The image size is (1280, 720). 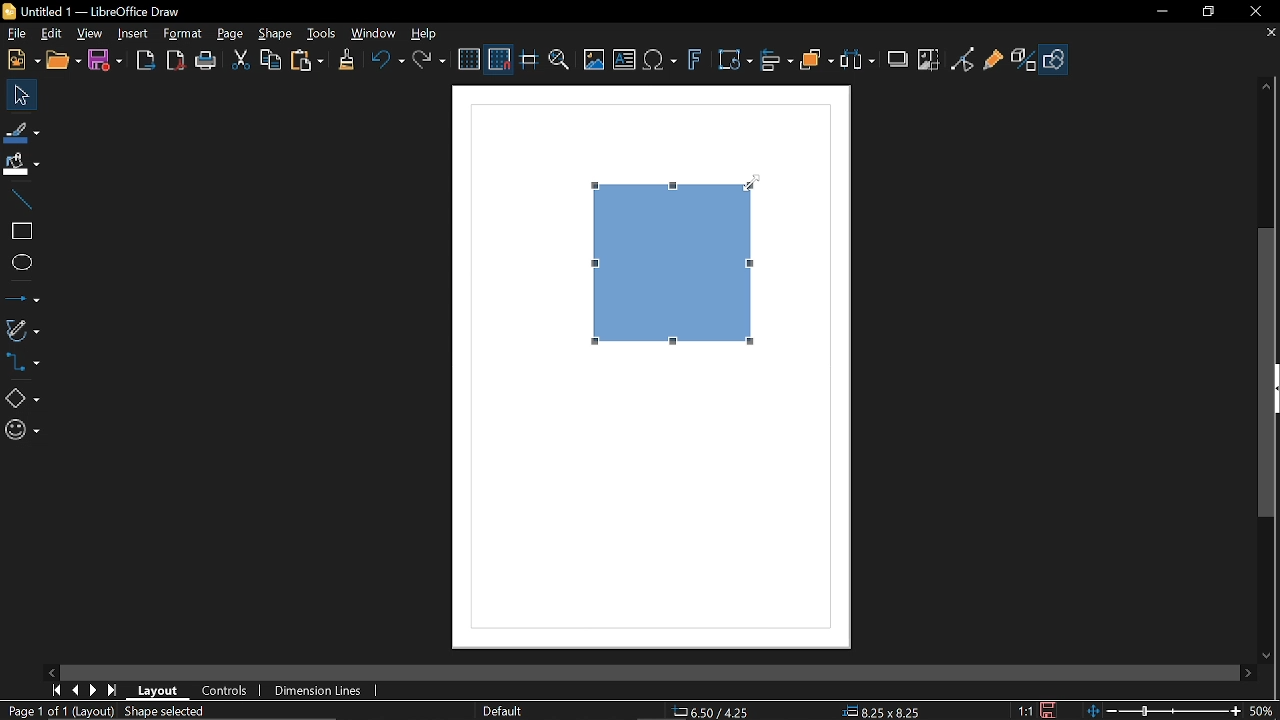 What do you see at coordinates (880, 712) in the screenshot?
I see `8.25x8.25 (Object Size)` at bounding box center [880, 712].